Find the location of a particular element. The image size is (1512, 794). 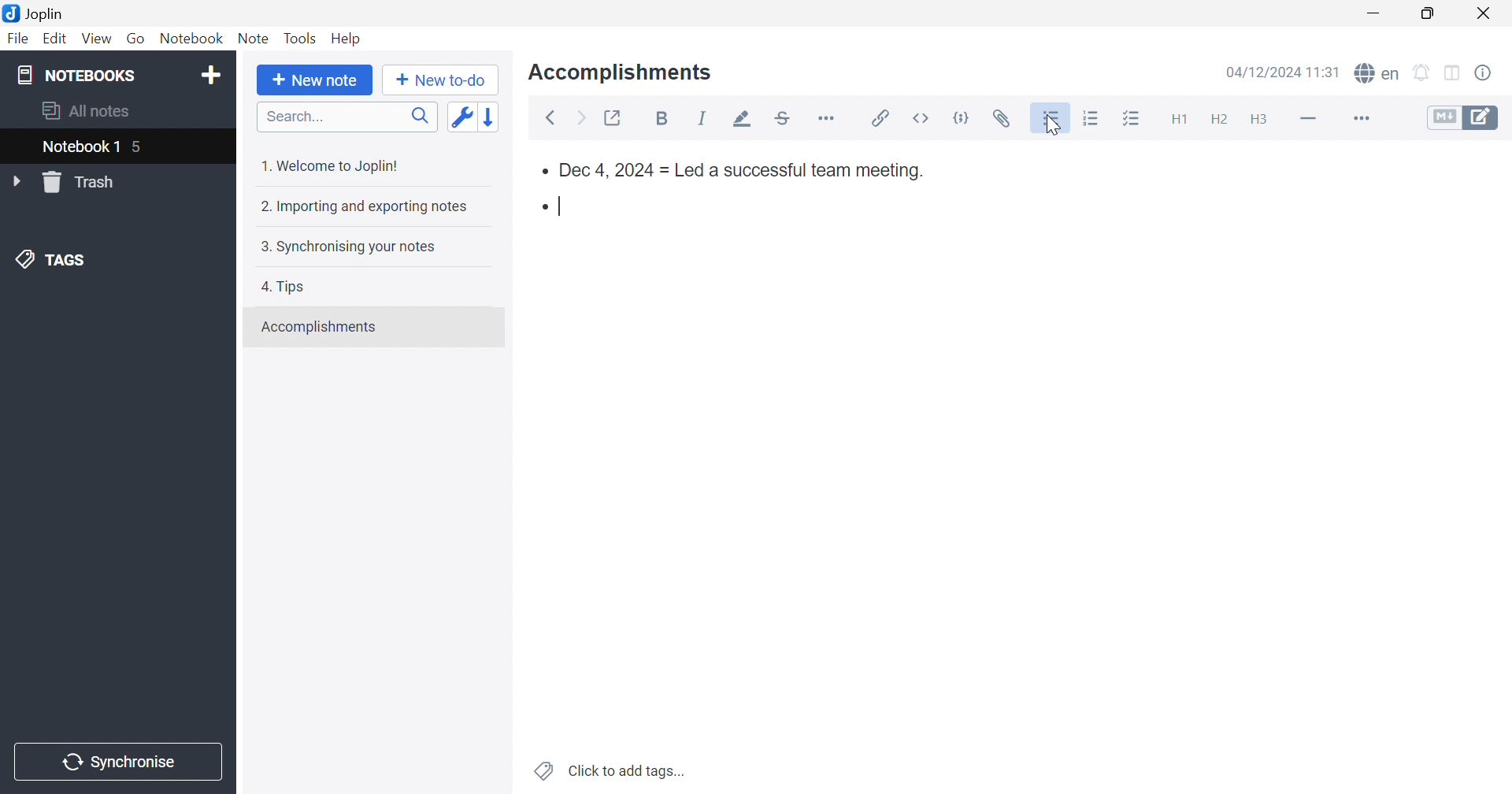

spell checker is located at coordinates (1377, 74).